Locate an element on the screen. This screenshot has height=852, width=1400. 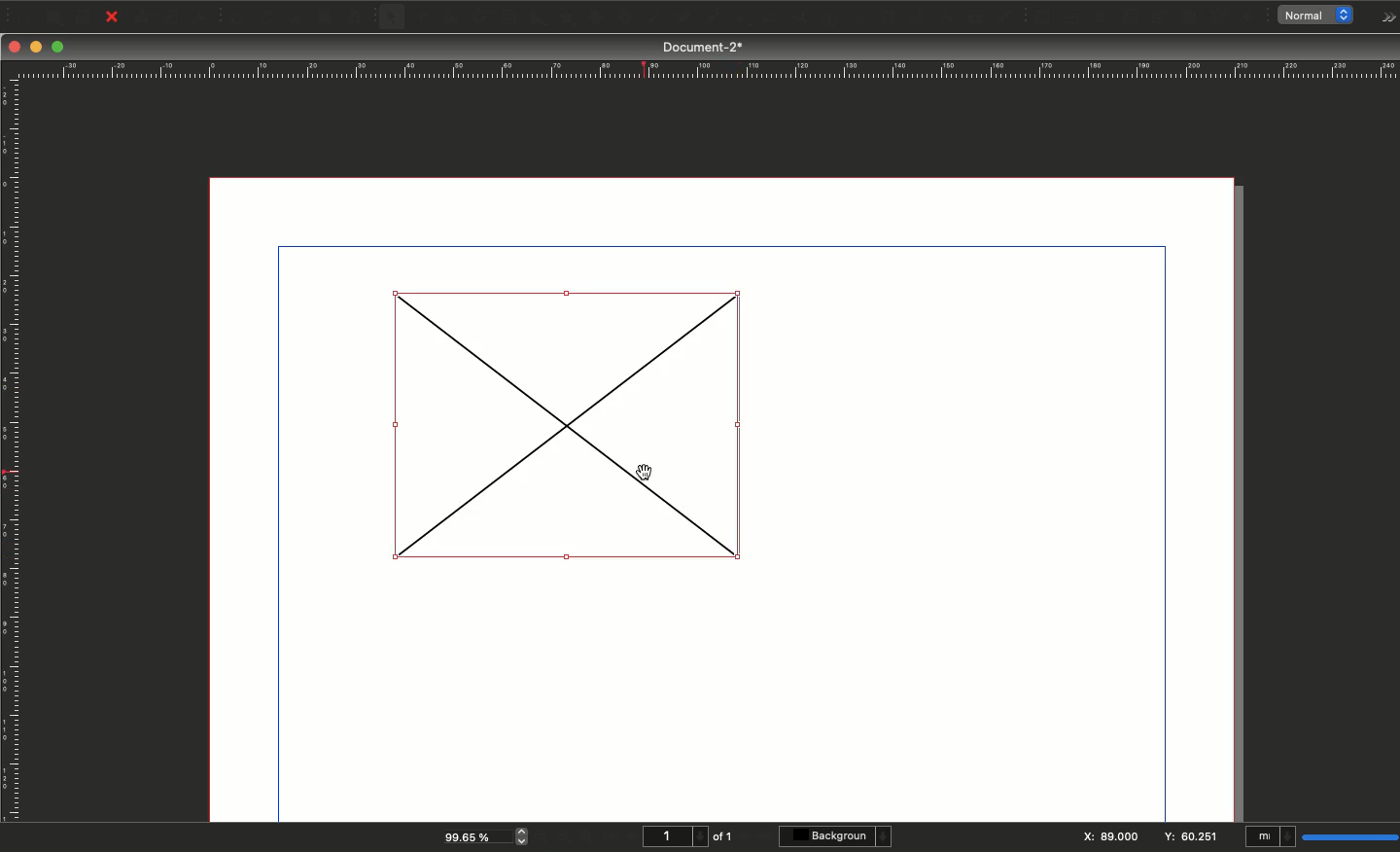
Shape is located at coordinates (540, 18).